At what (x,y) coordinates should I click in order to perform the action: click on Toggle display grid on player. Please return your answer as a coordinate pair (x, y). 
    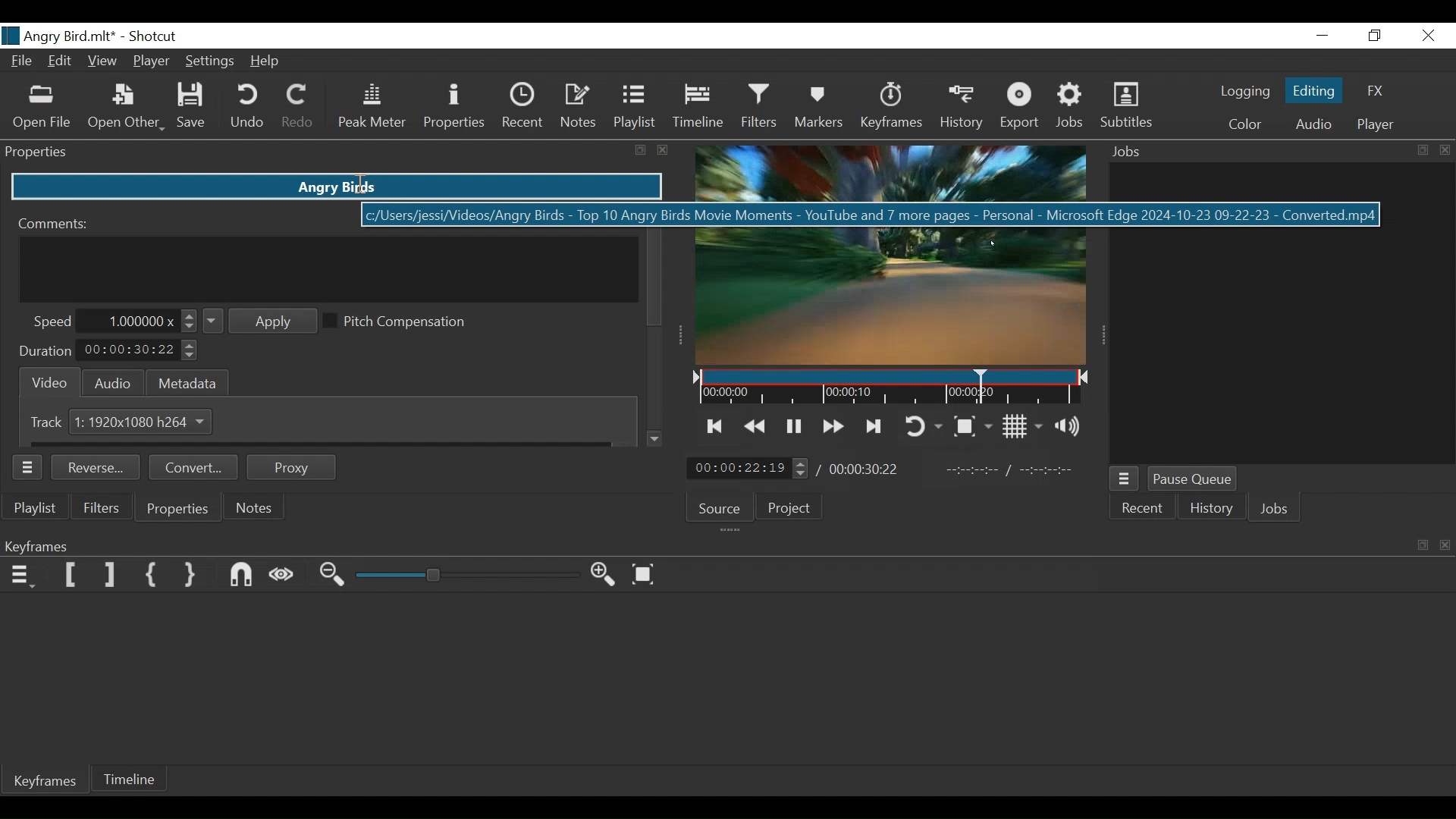
    Looking at the image, I should click on (1025, 426).